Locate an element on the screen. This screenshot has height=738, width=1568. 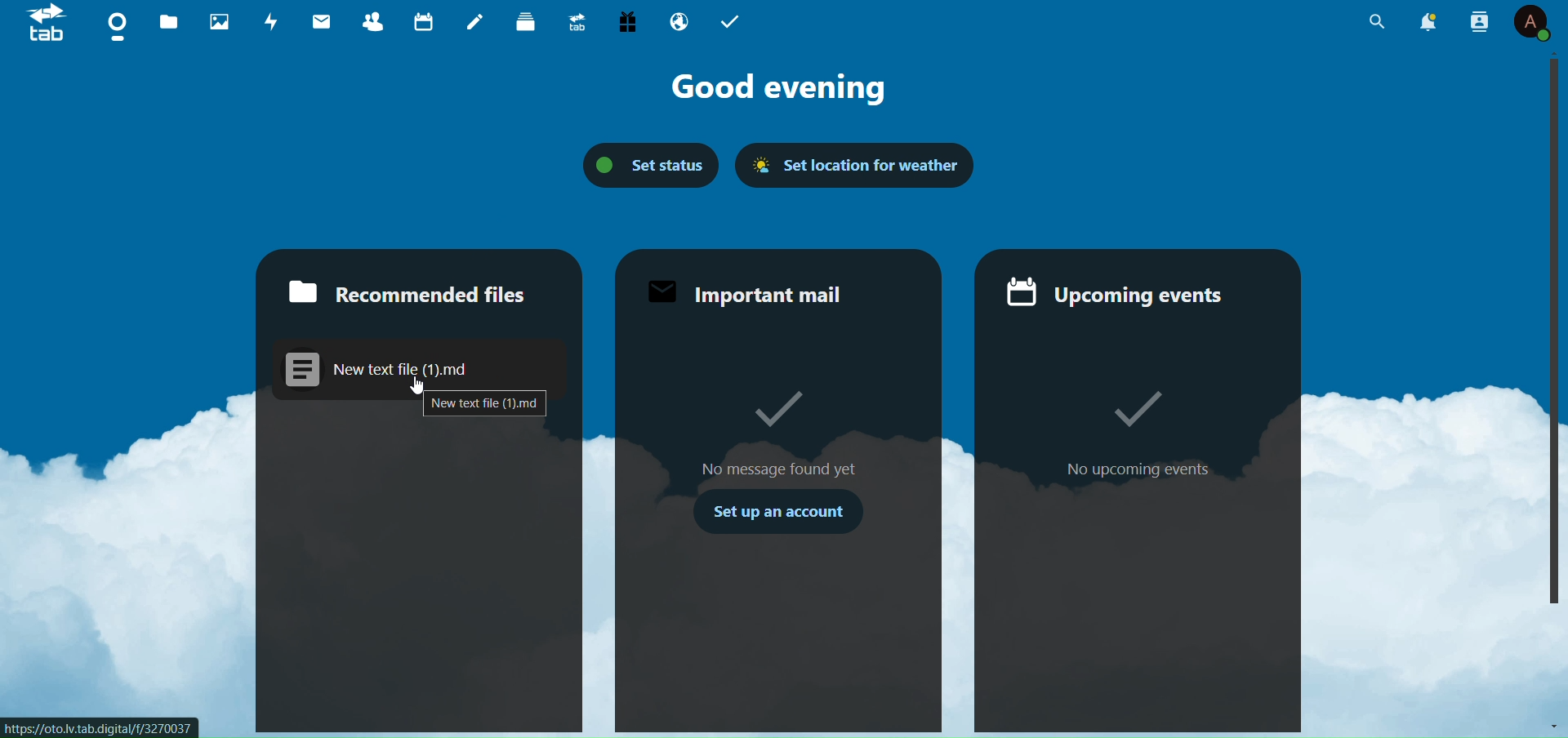
recommended files is located at coordinates (401, 291).